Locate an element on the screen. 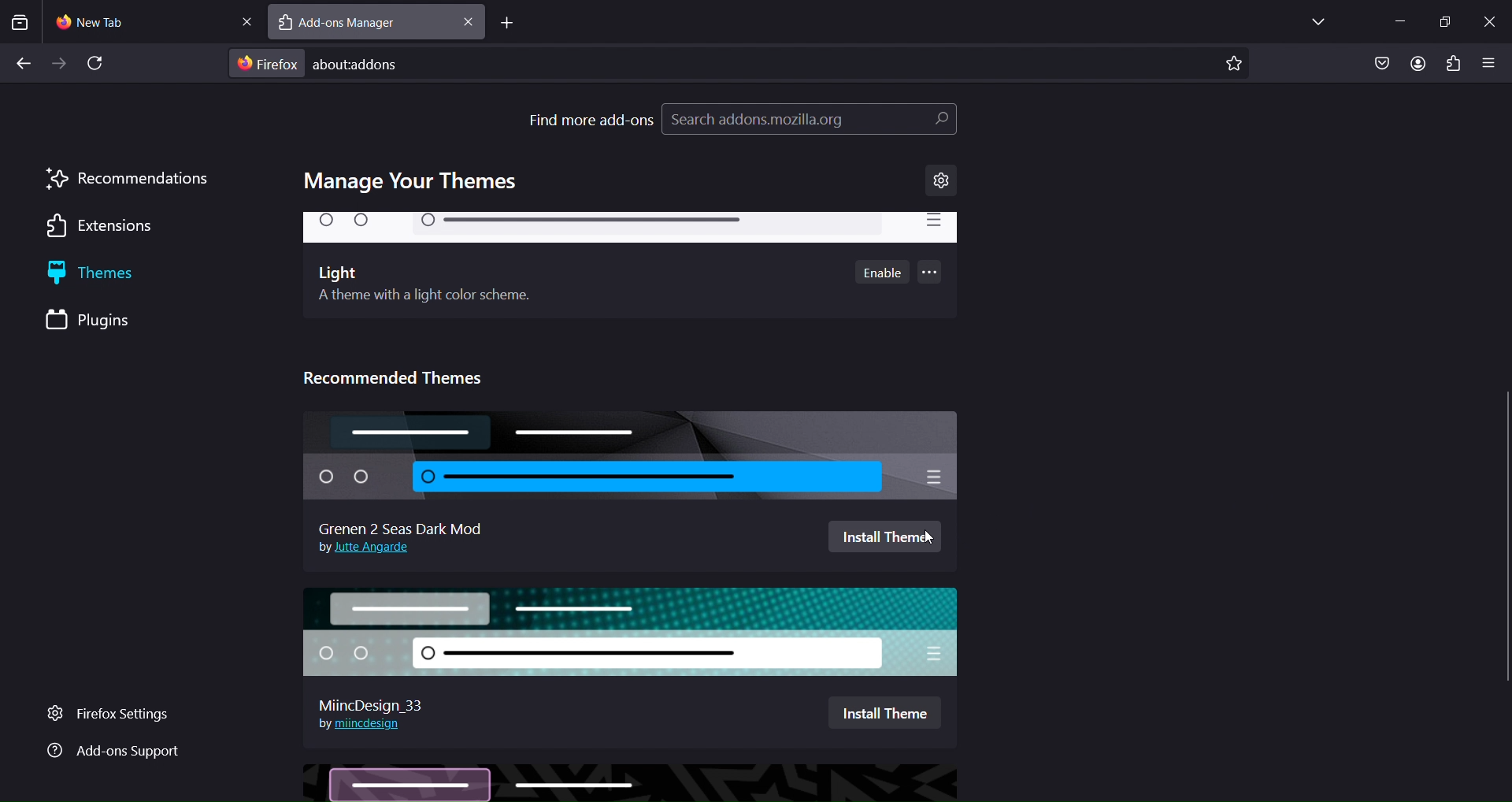 This screenshot has height=802, width=1512. go forward one page is located at coordinates (61, 65).